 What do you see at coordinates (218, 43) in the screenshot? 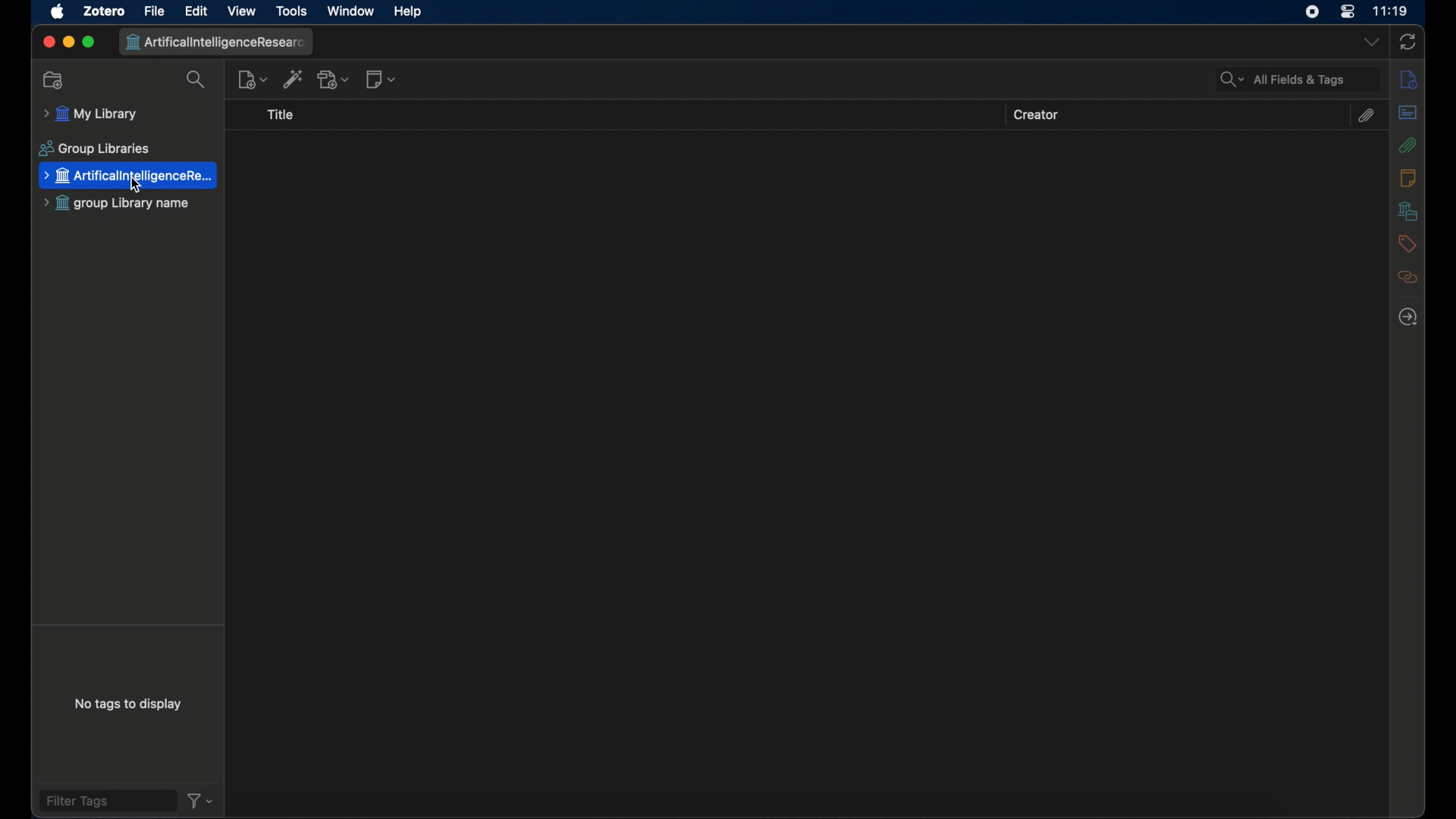
I see `group library tab` at bounding box center [218, 43].